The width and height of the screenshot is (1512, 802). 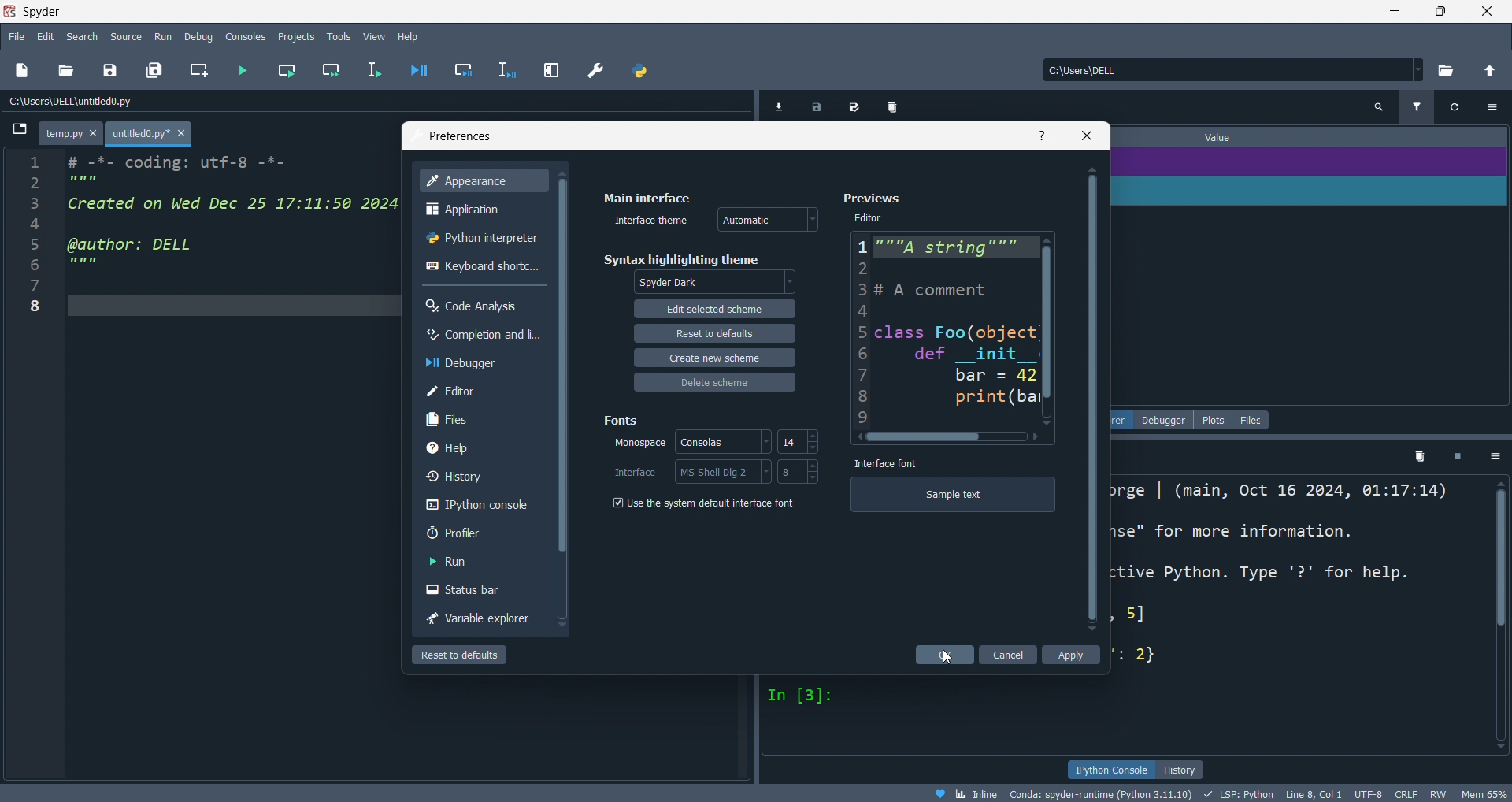 I want to click on ipython console, so click(x=1110, y=770).